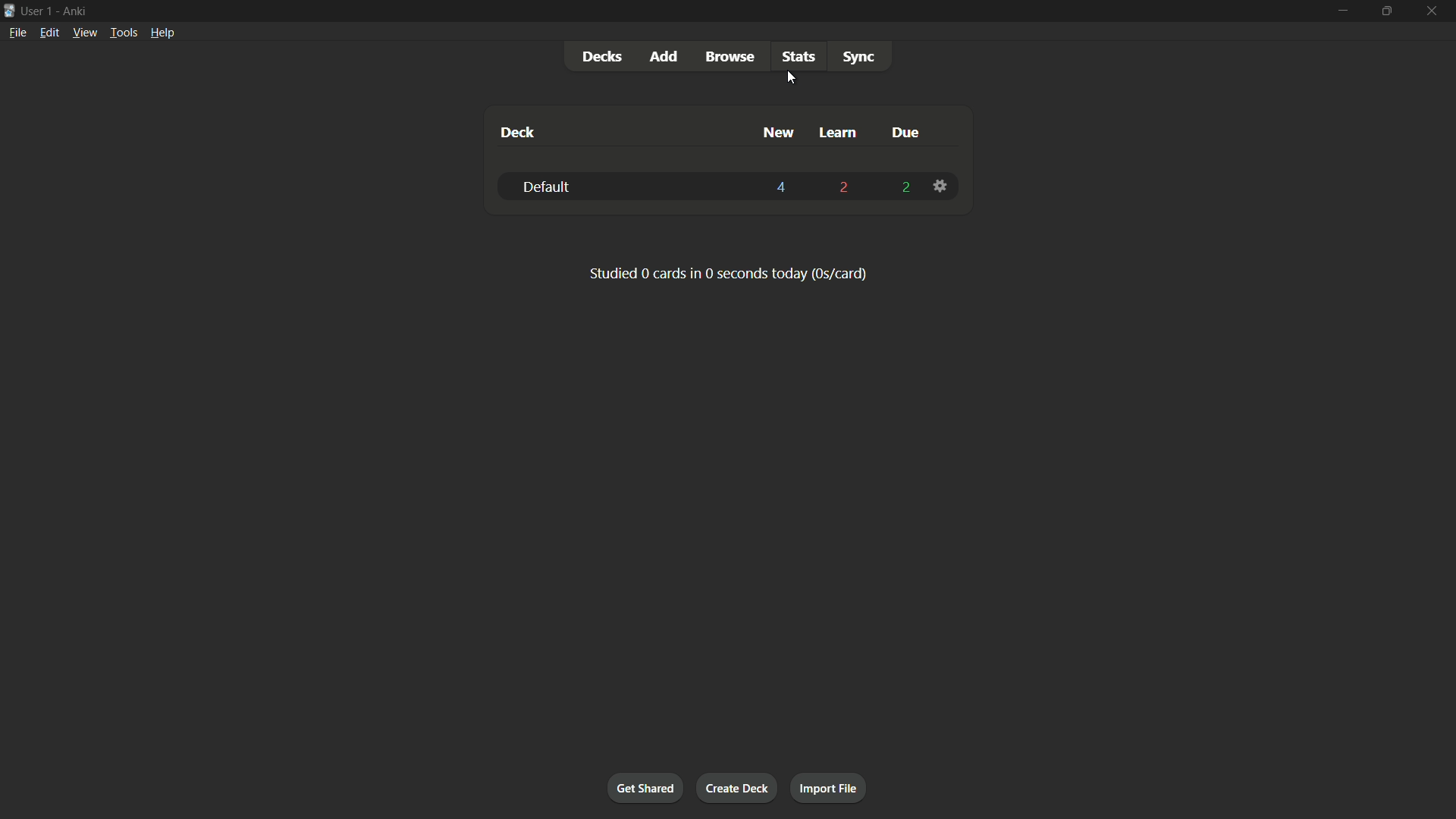 The image size is (1456, 819). What do you see at coordinates (1341, 12) in the screenshot?
I see `minimize` at bounding box center [1341, 12].